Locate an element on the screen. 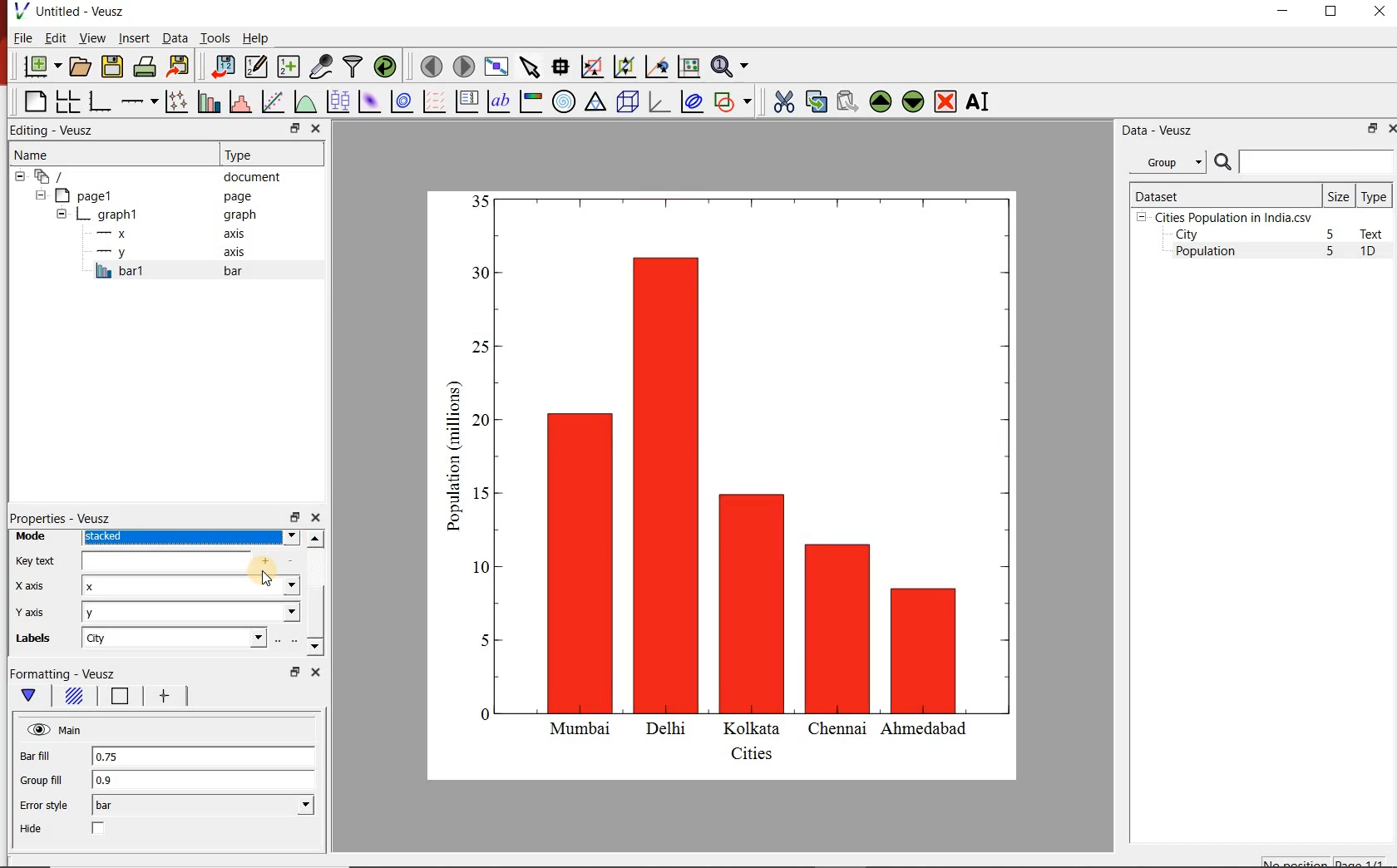 The image size is (1397, 868). edit and enter new datasets is located at coordinates (254, 67).